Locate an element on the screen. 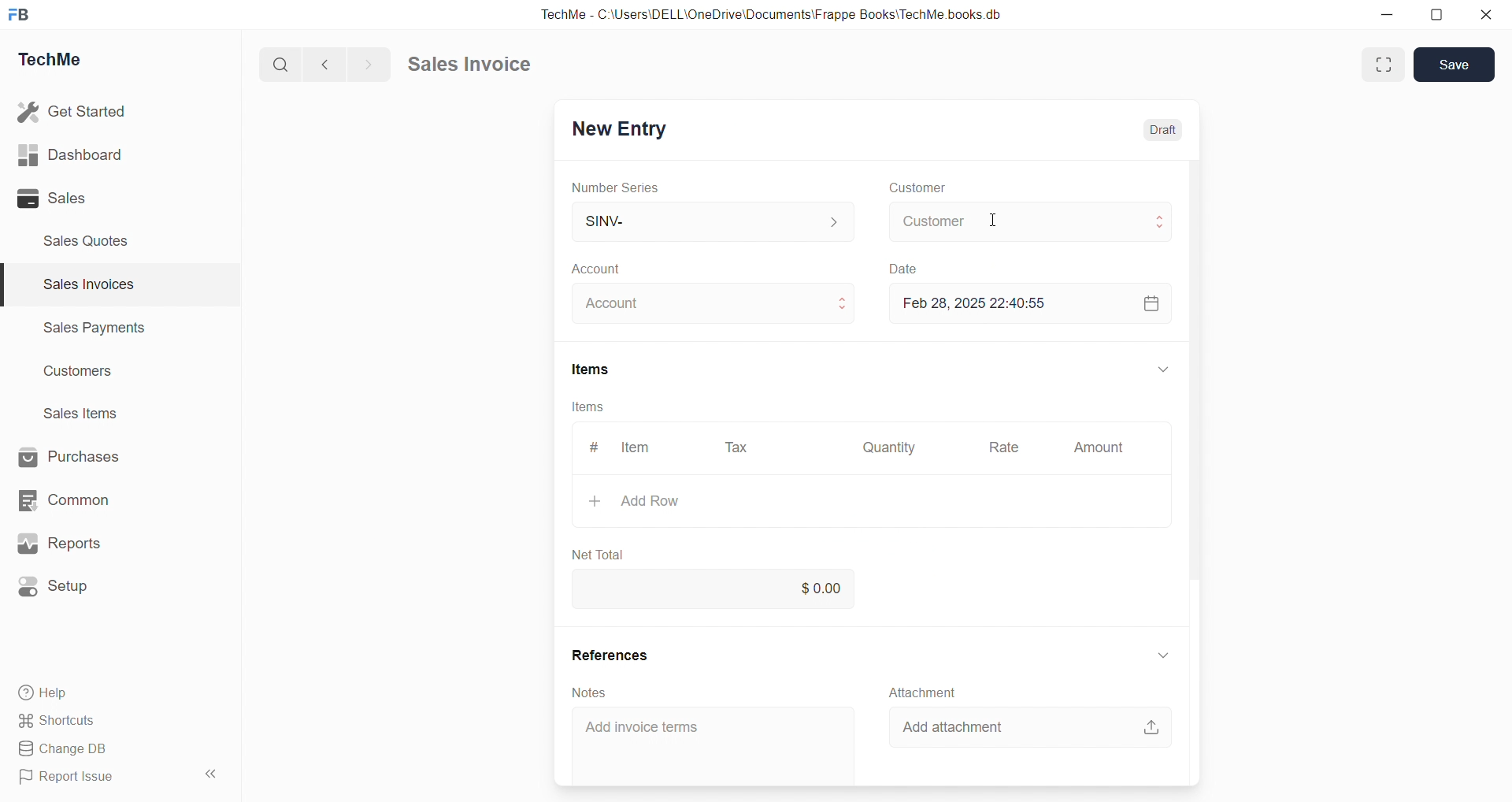 The image size is (1512, 802). Customer is located at coordinates (918, 188).